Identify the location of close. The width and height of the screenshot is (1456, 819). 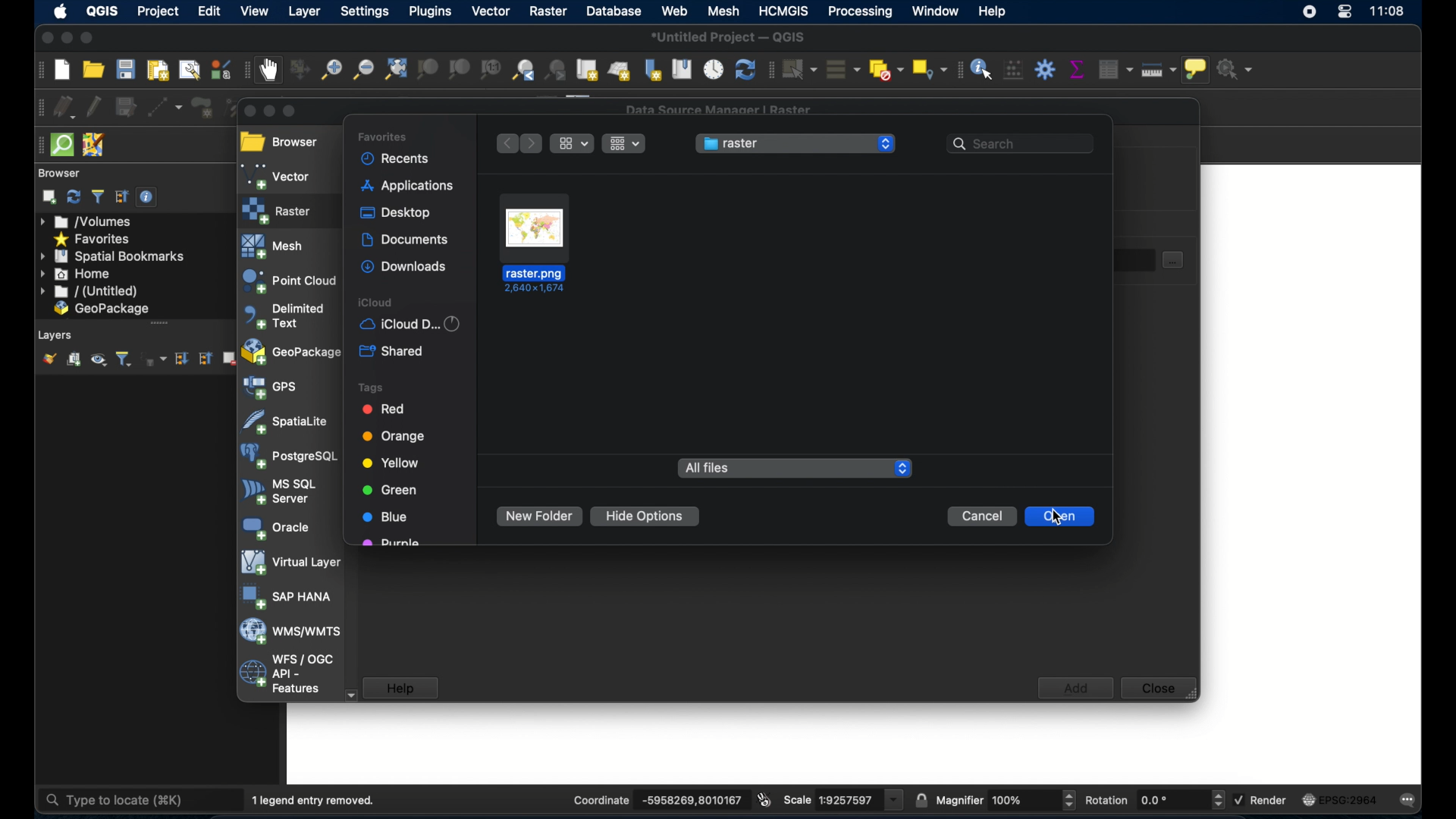
(1162, 689).